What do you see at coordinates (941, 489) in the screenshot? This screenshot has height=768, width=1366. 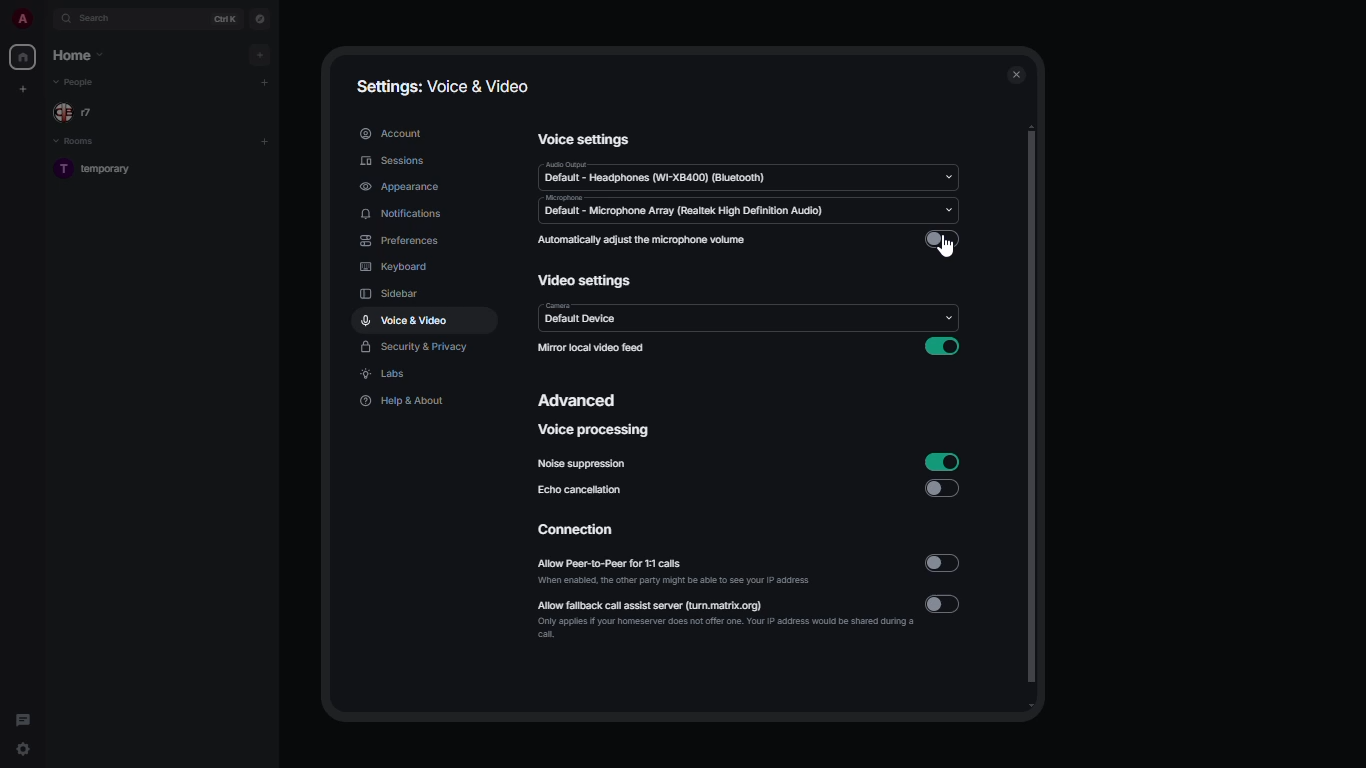 I see `disabled` at bounding box center [941, 489].